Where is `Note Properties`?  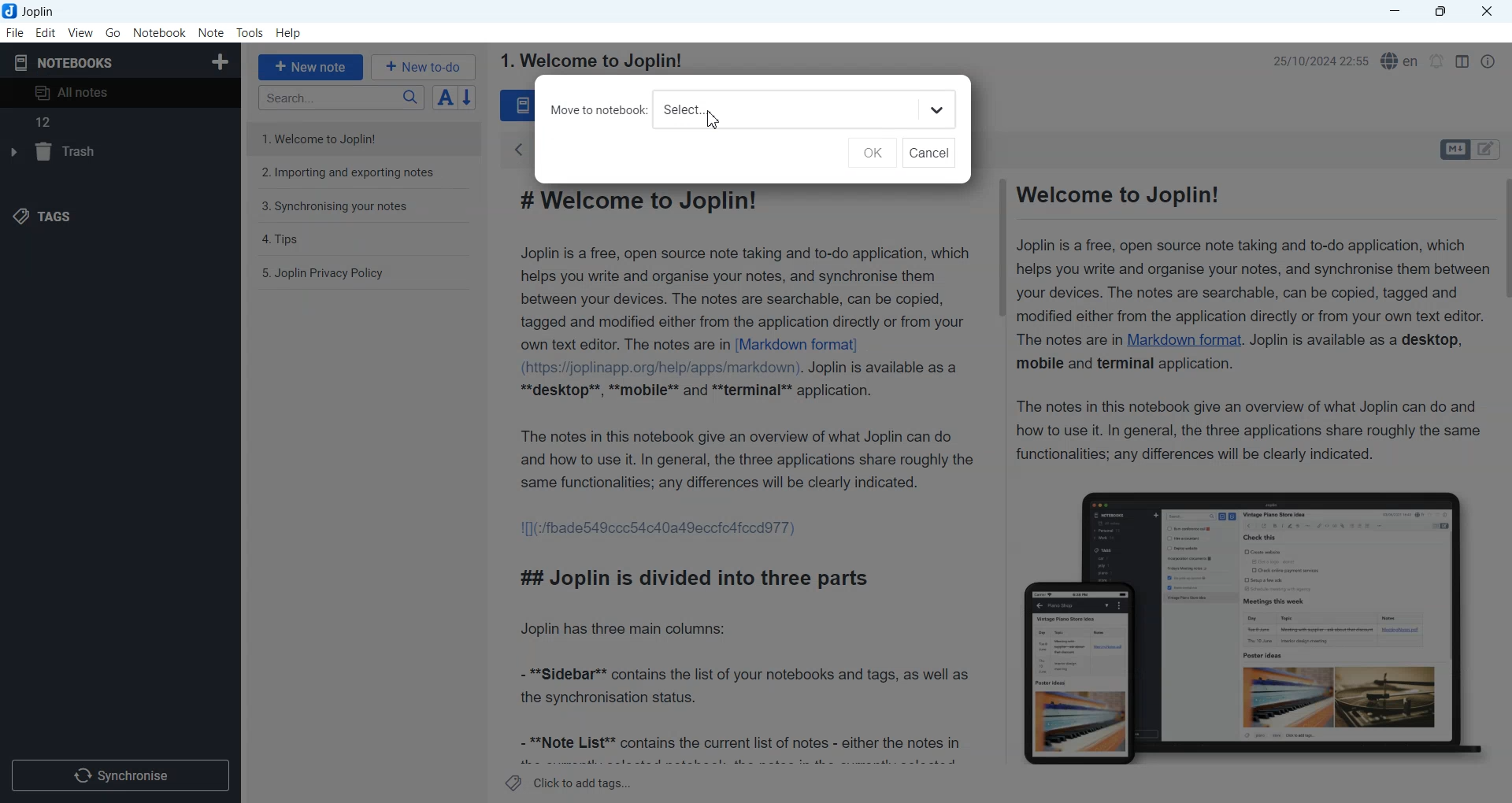 Note Properties is located at coordinates (1488, 61).